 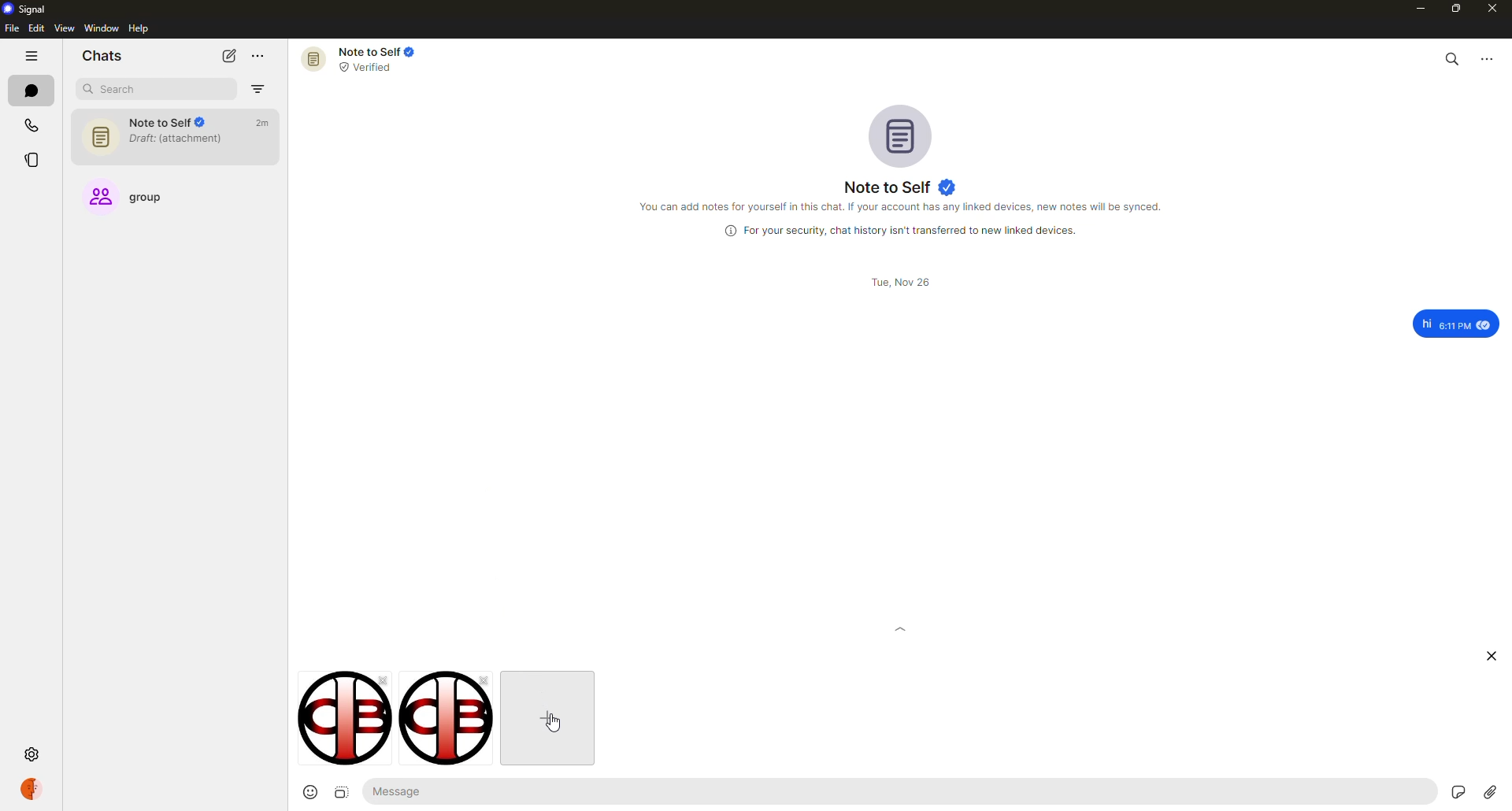 What do you see at coordinates (341, 792) in the screenshot?
I see `image` at bounding box center [341, 792].